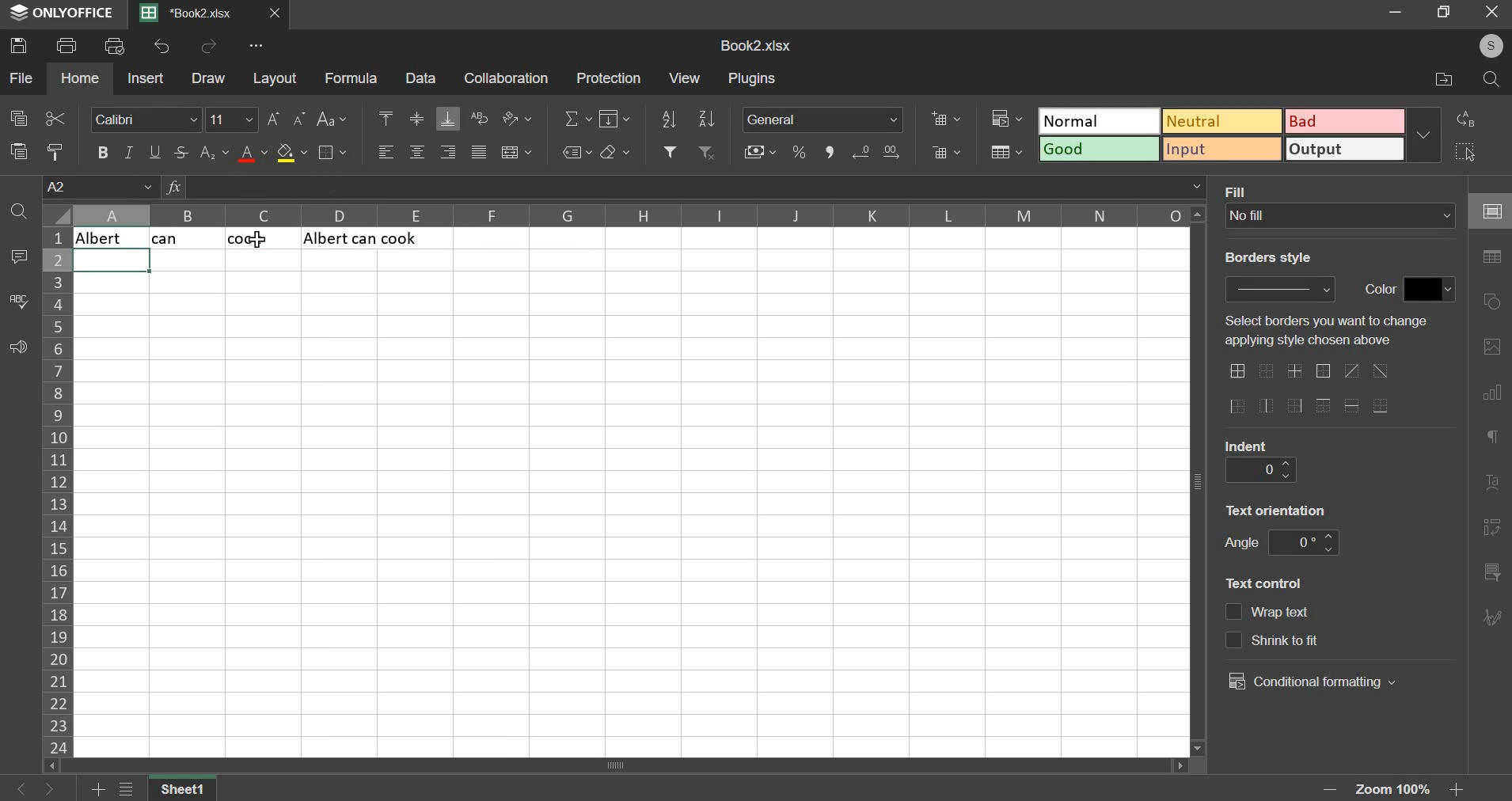  I want to click on shapes, so click(1495, 302).